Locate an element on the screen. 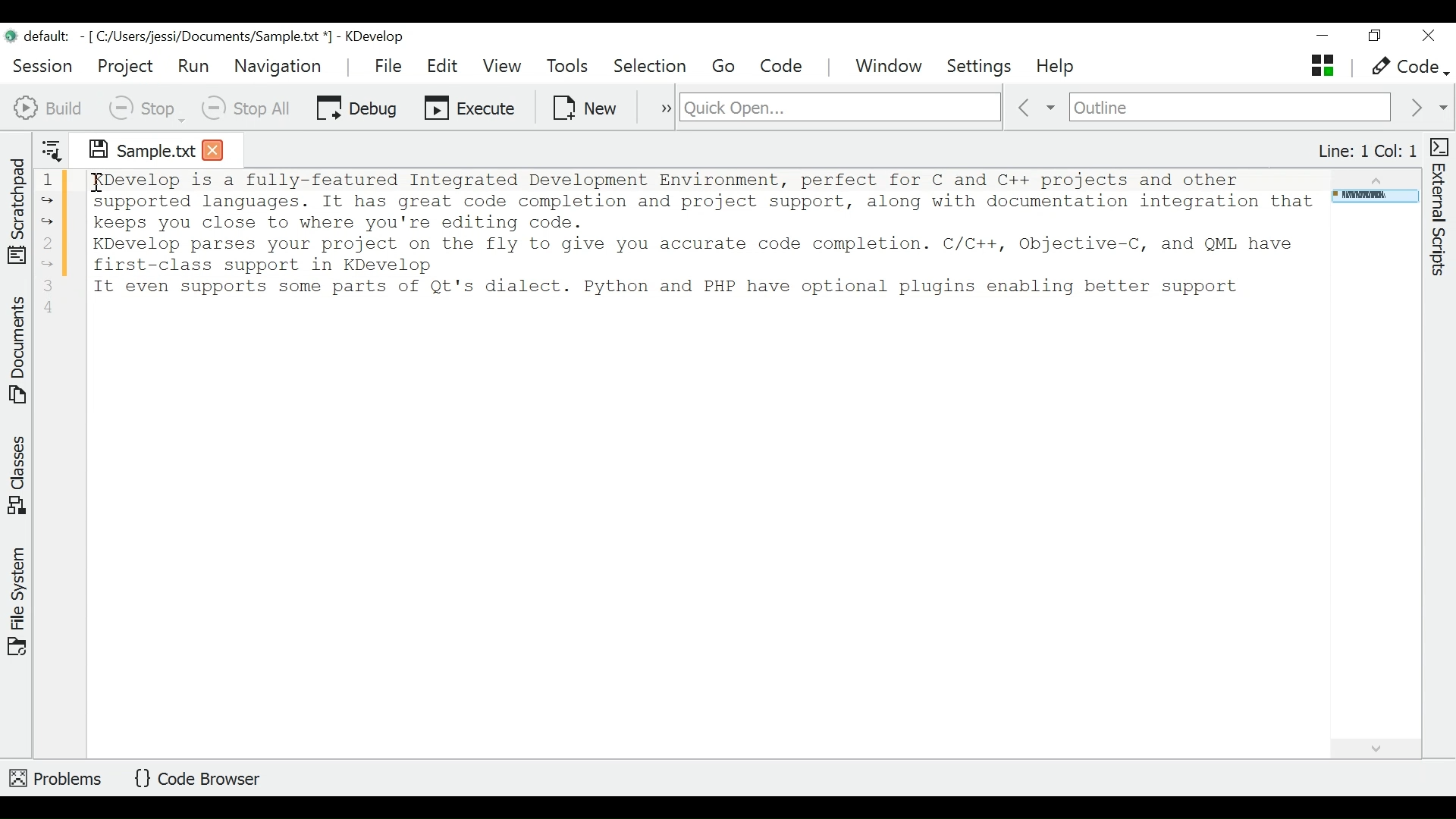 Image resolution: width=1456 pixels, height=819 pixels. Close tab is located at coordinates (213, 149).